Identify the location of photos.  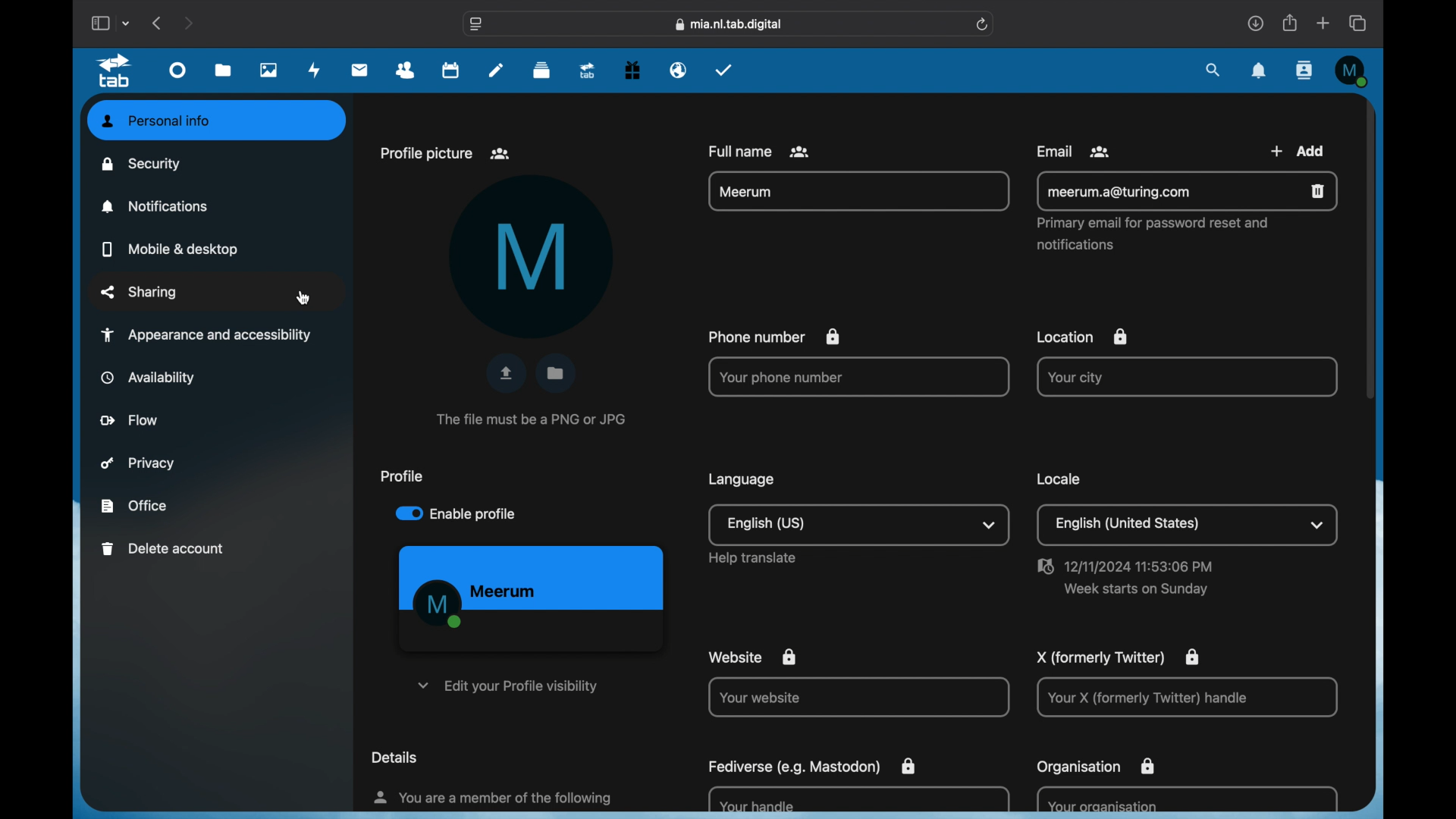
(269, 71).